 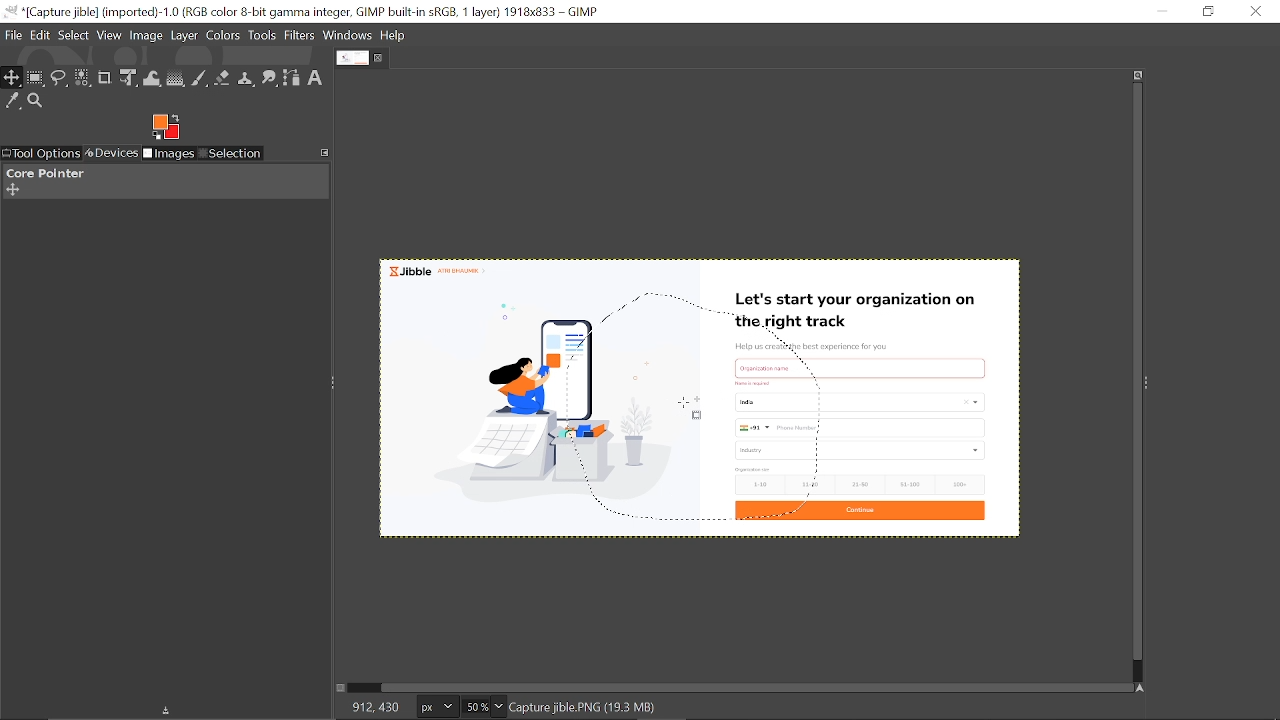 What do you see at coordinates (353, 57) in the screenshot?
I see `Current tab` at bounding box center [353, 57].